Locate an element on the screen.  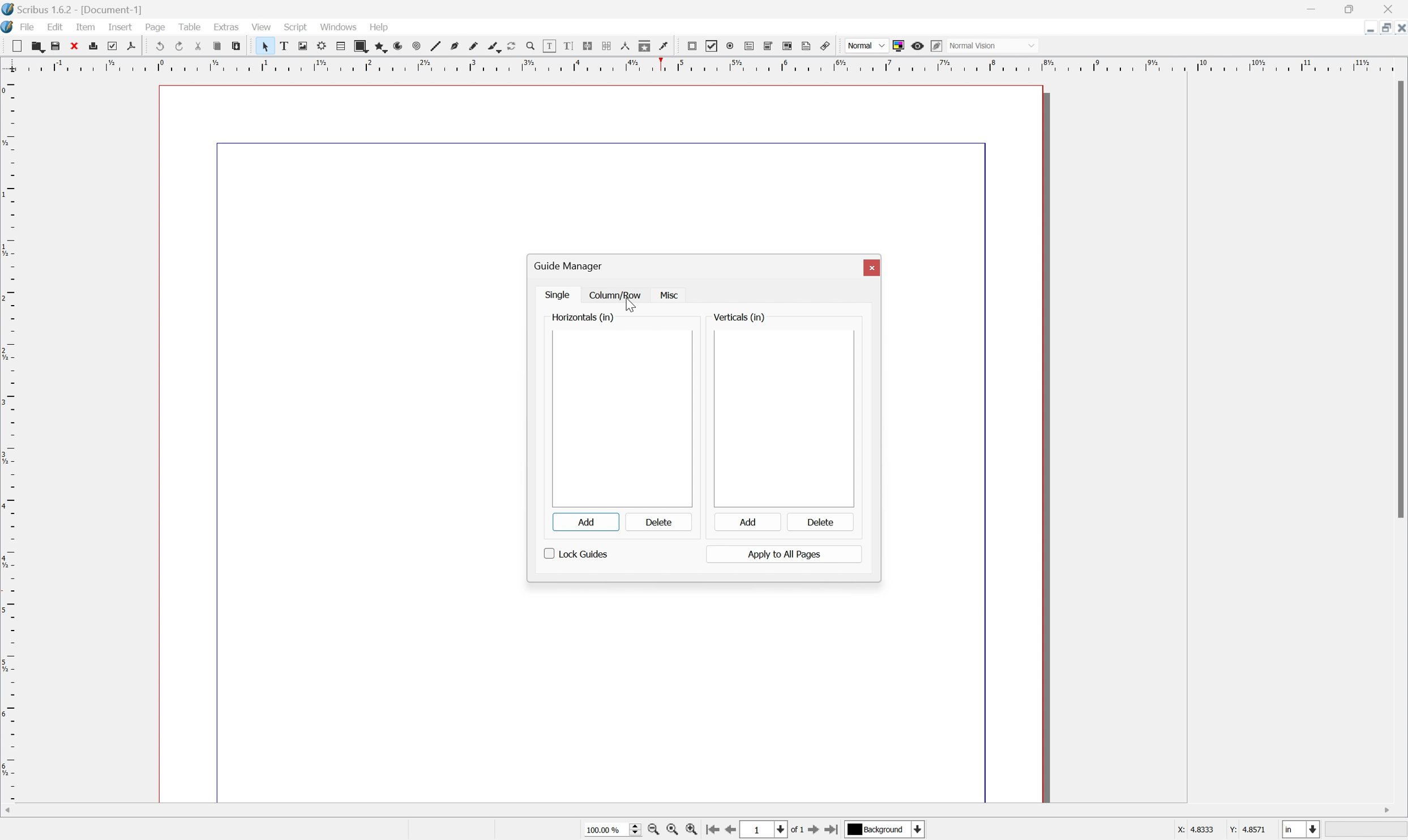
scribus 1.6.2 - [document-1] is located at coordinates (72, 8).